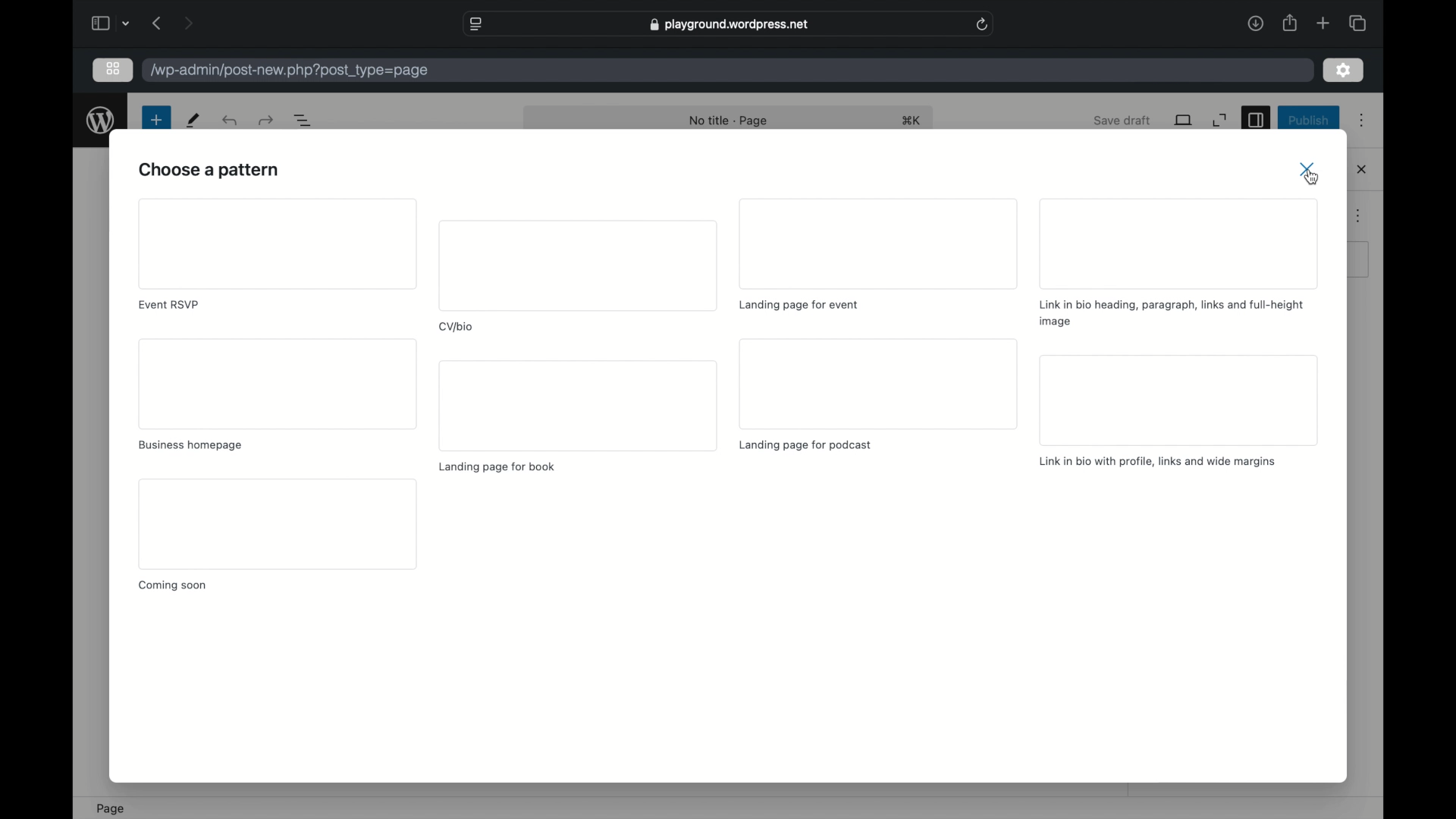  Describe the element at coordinates (457, 328) in the screenshot. I see `cv/bio` at that location.